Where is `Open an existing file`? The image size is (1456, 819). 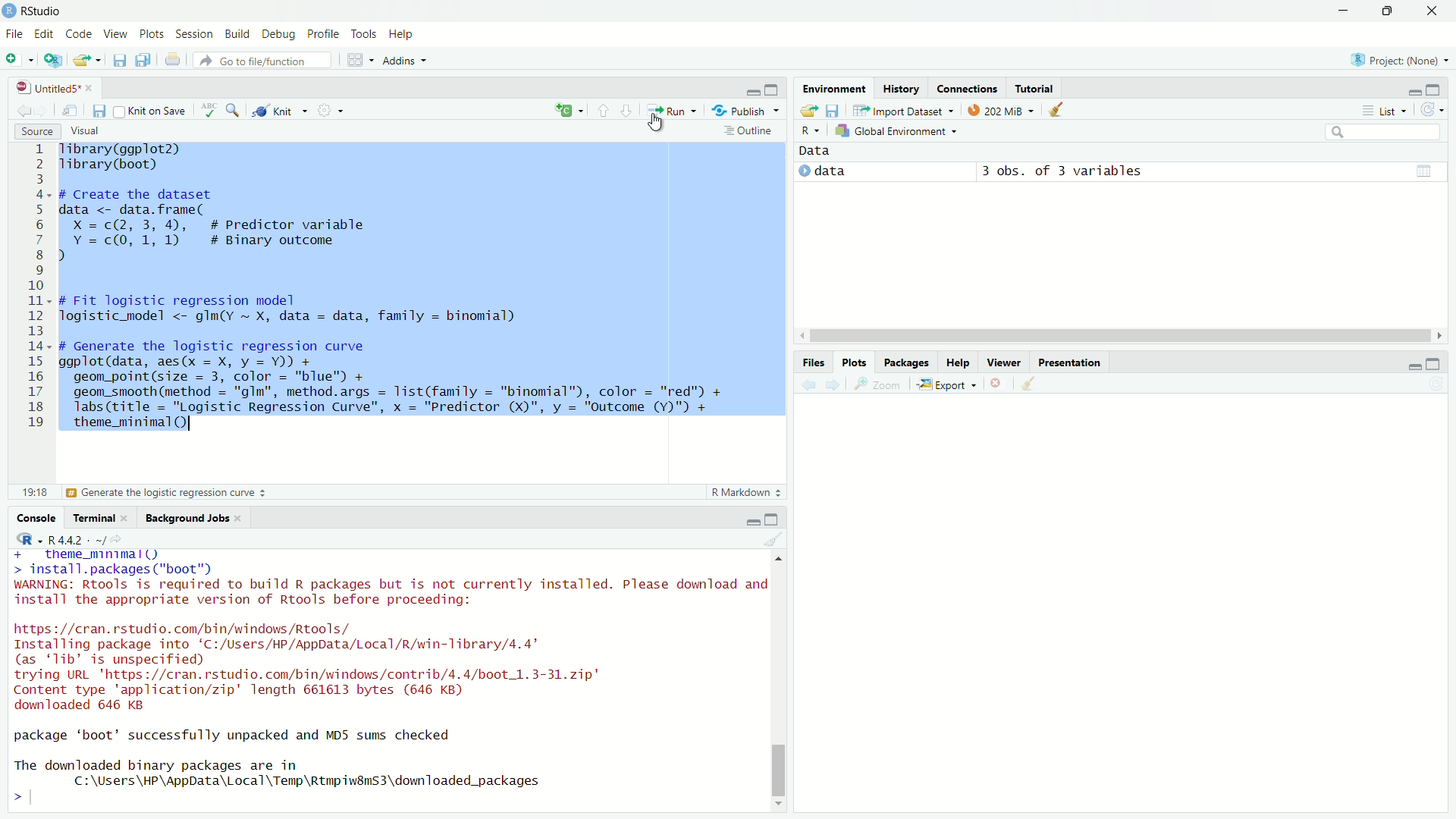 Open an existing file is located at coordinates (80, 61).